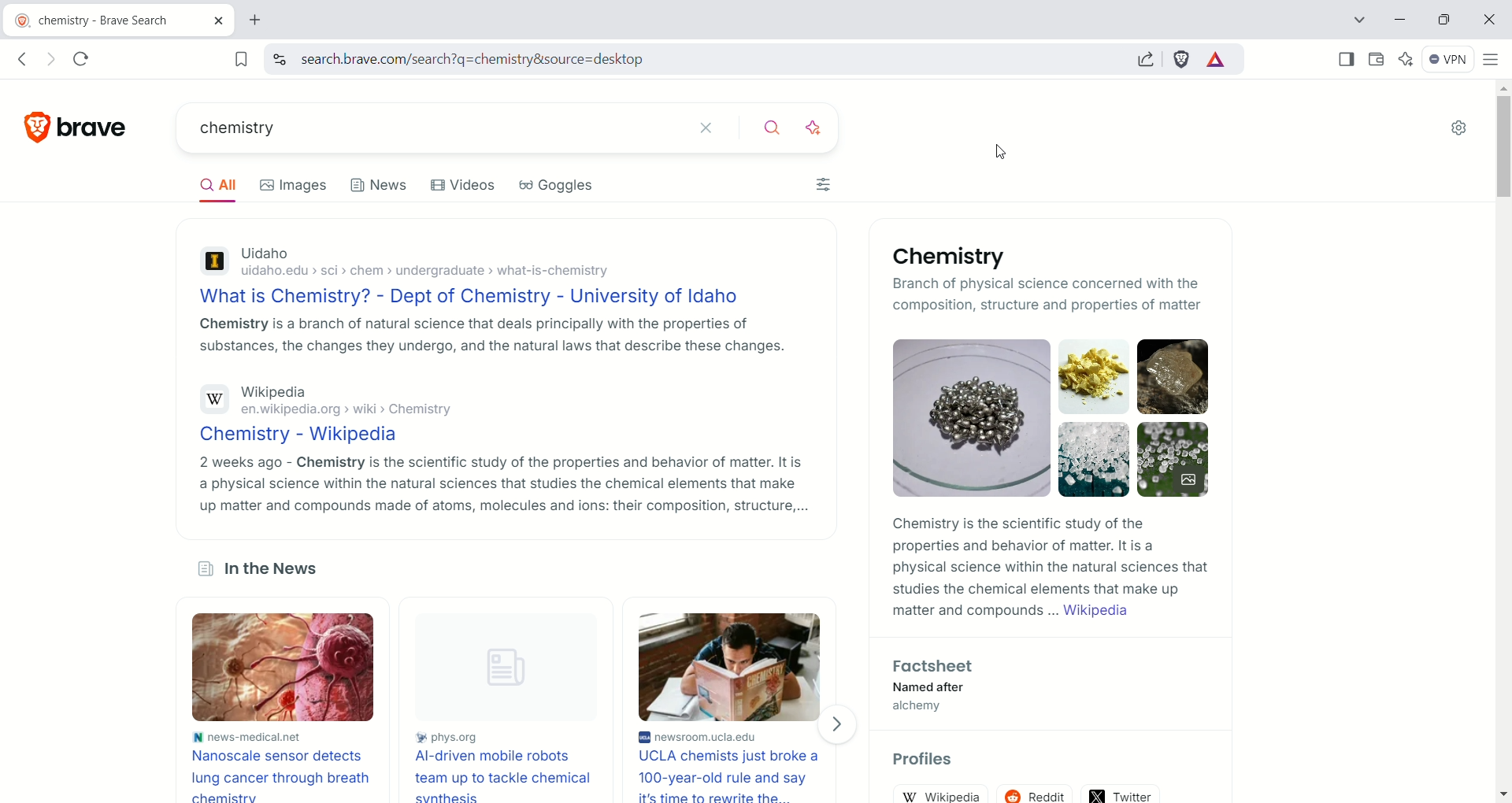 Image resolution: width=1512 pixels, height=803 pixels. I want to click on leo AI, so click(821, 128).